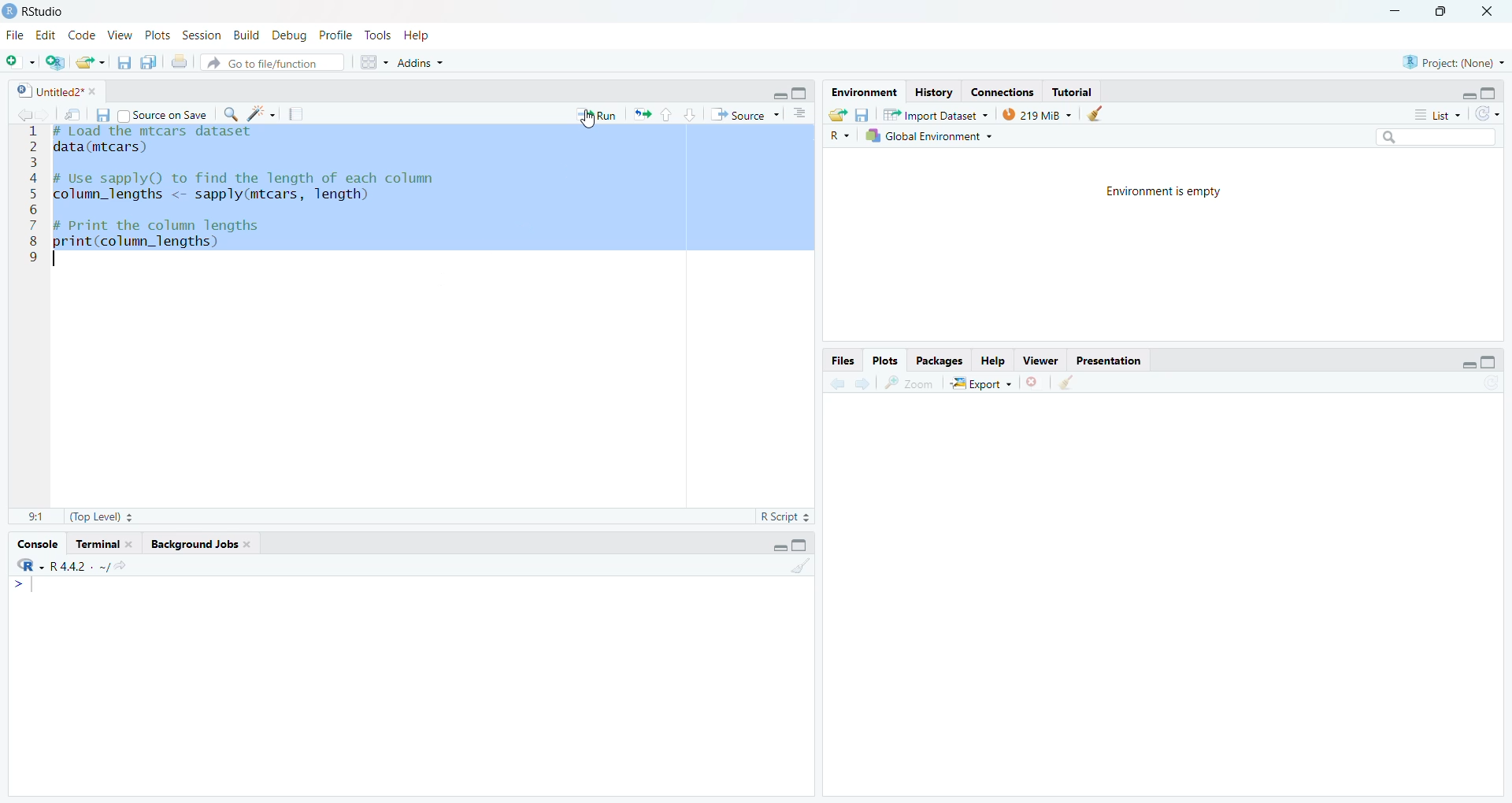  I want to click on Create Project, so click(54, 62).